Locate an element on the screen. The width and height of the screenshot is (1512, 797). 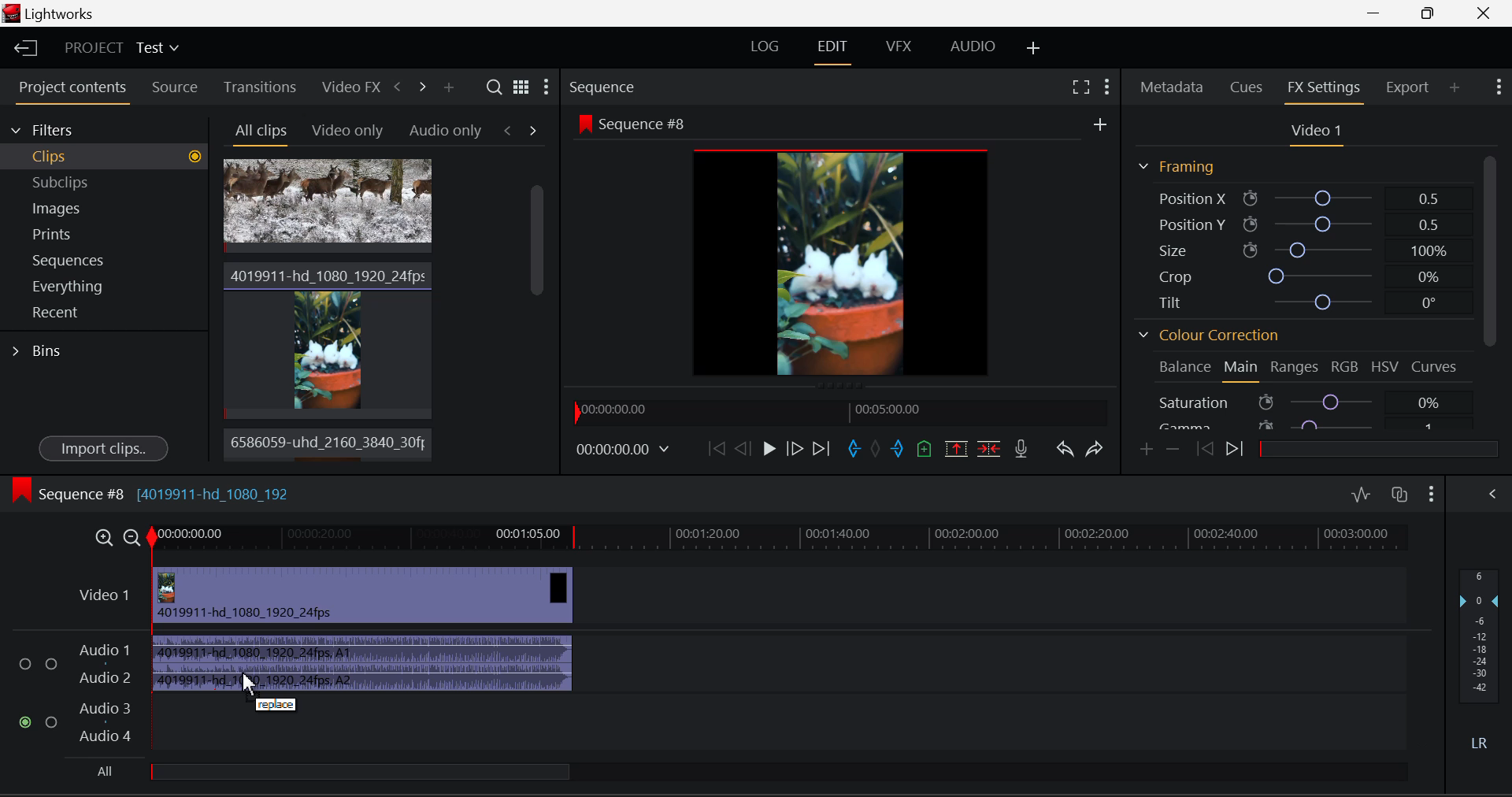
Scroll Bar is located at coordinates (535, 313).